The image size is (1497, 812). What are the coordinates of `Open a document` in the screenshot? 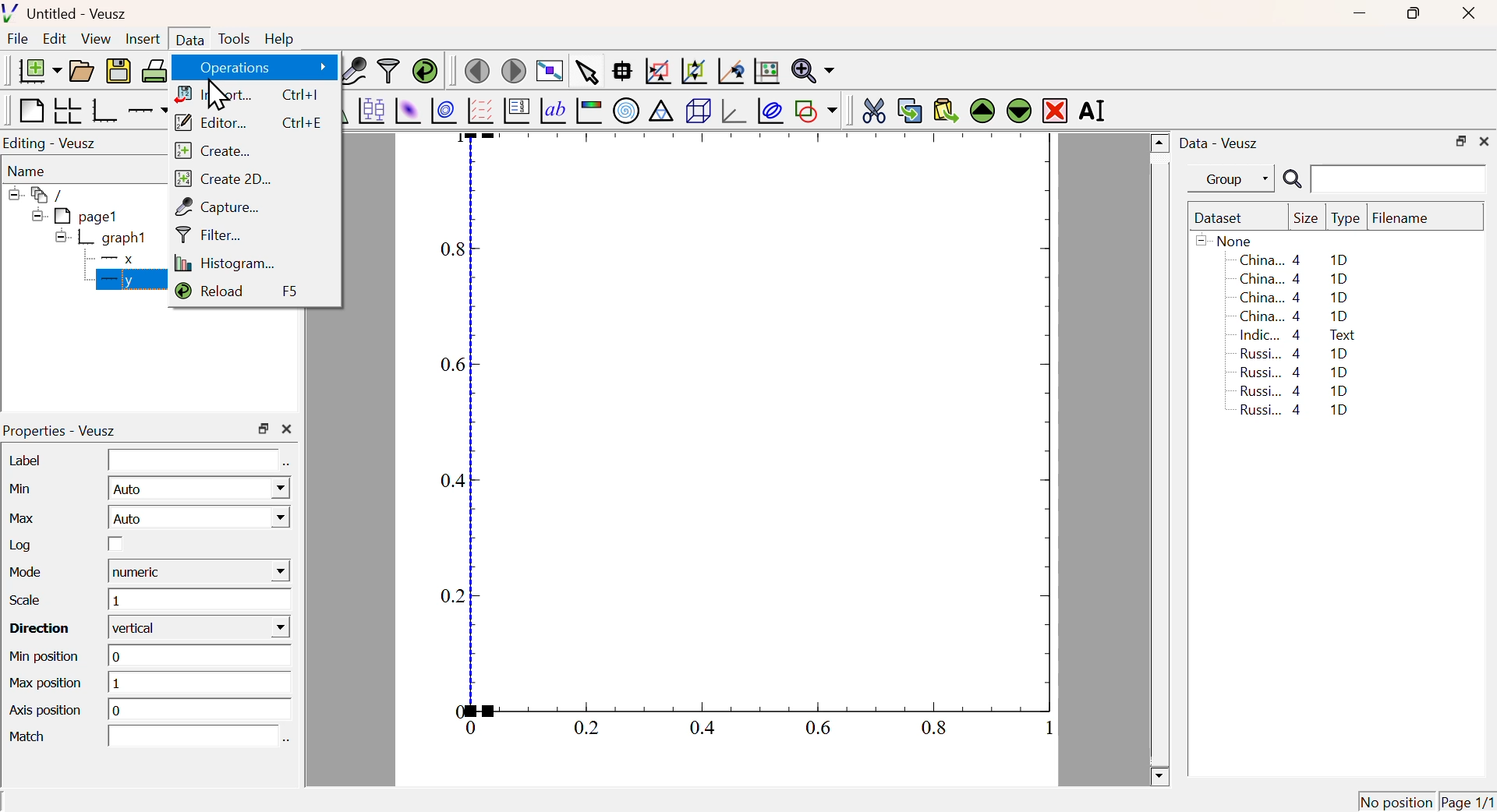 It's located at (80, 71).